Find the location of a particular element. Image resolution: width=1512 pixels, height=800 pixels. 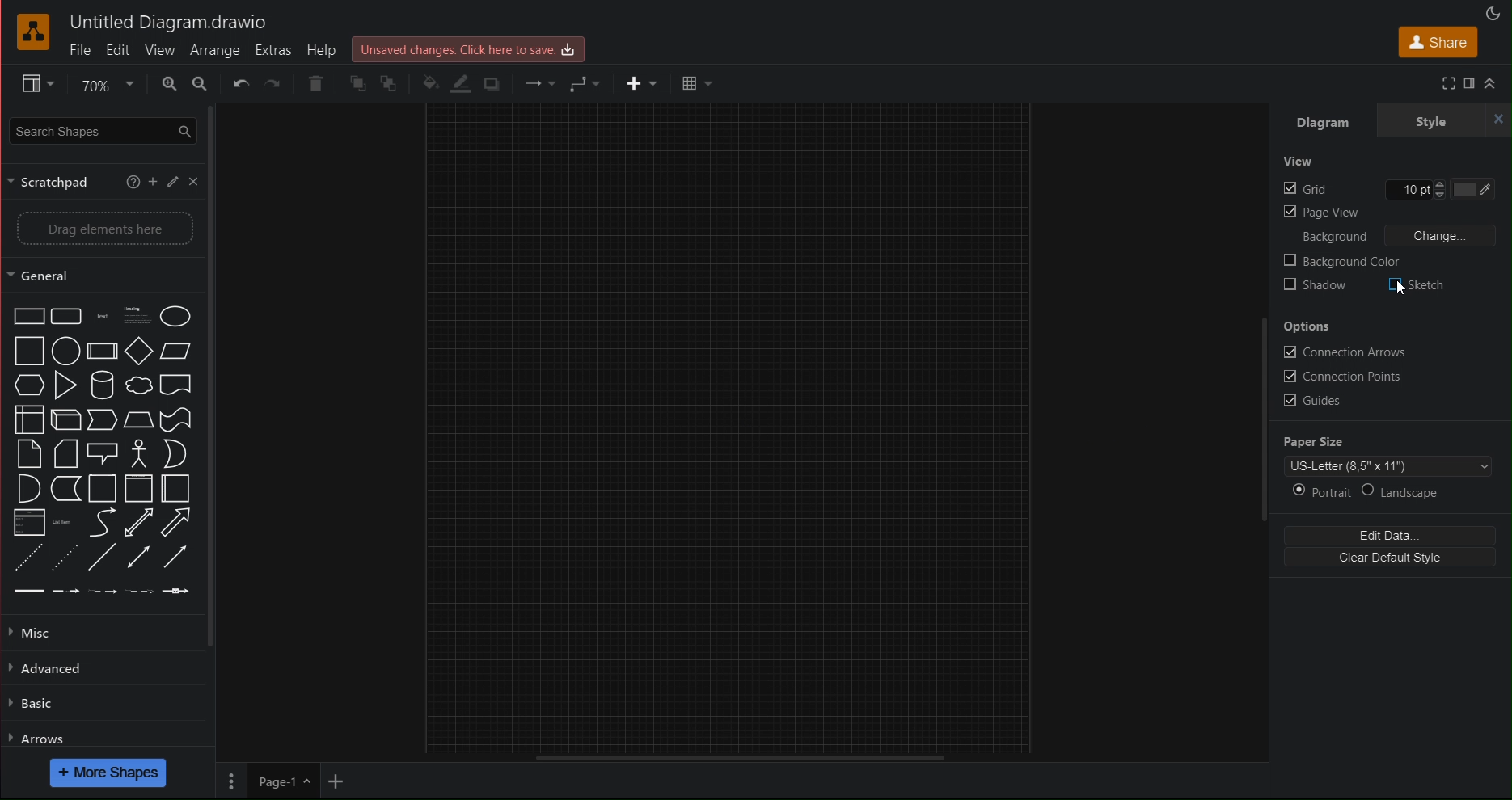

help is located at coordinates (131, 184).